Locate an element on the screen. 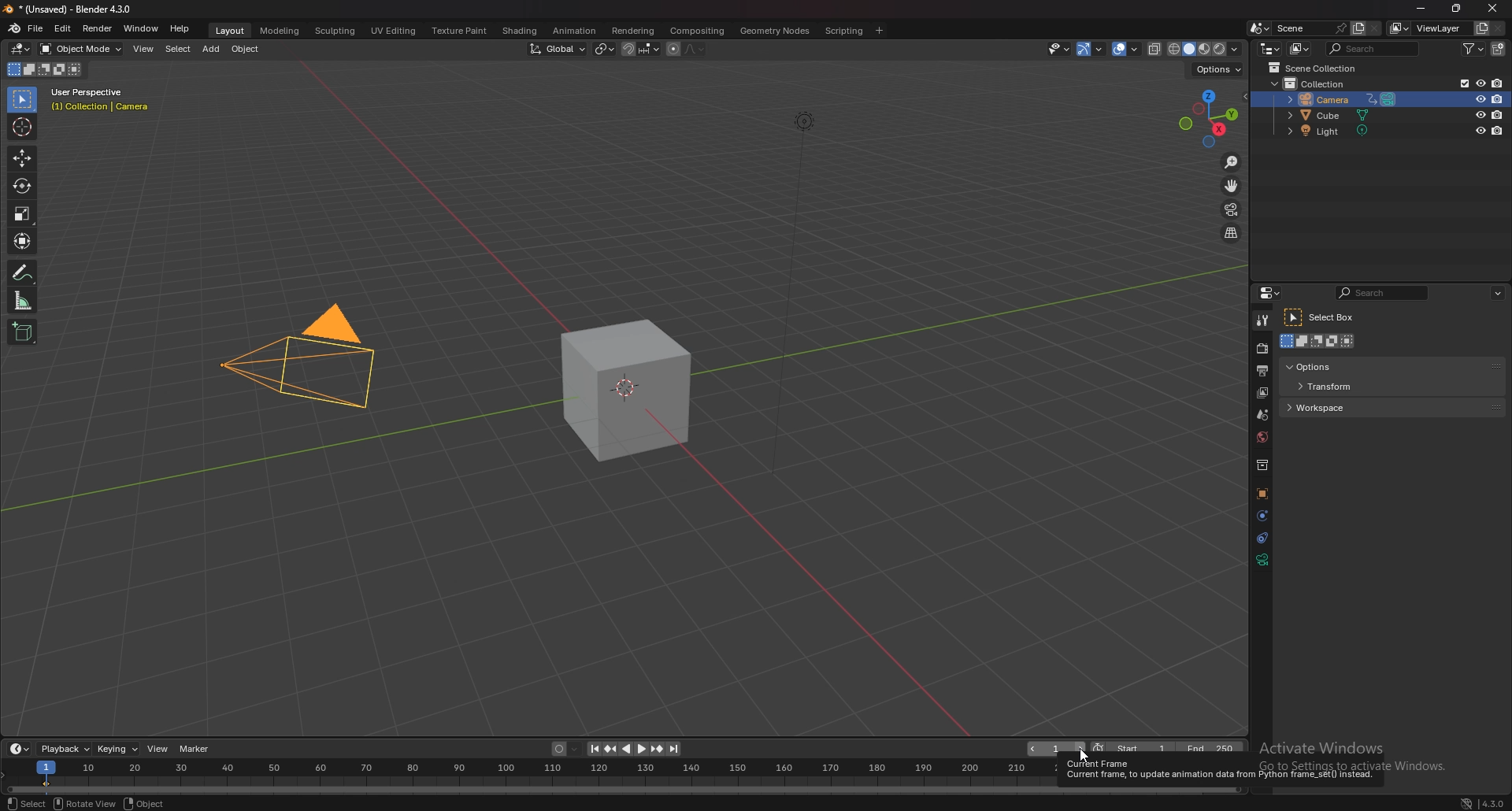  exclude from viewlayer is located at coordinates (1458, 83).